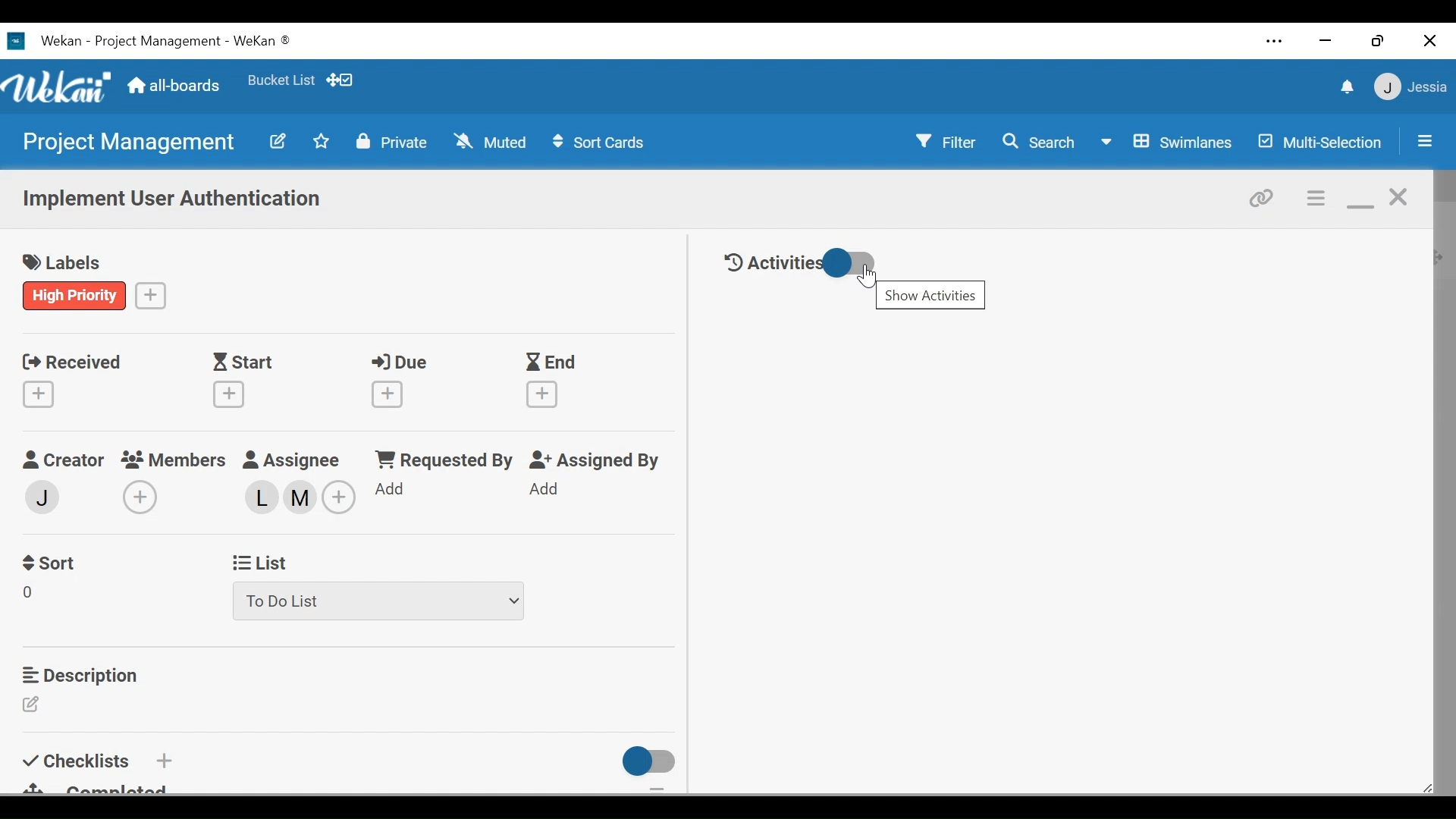  Describe the element at coordinates (1326, 40) in the screenshot. I see `minimize` at that location.